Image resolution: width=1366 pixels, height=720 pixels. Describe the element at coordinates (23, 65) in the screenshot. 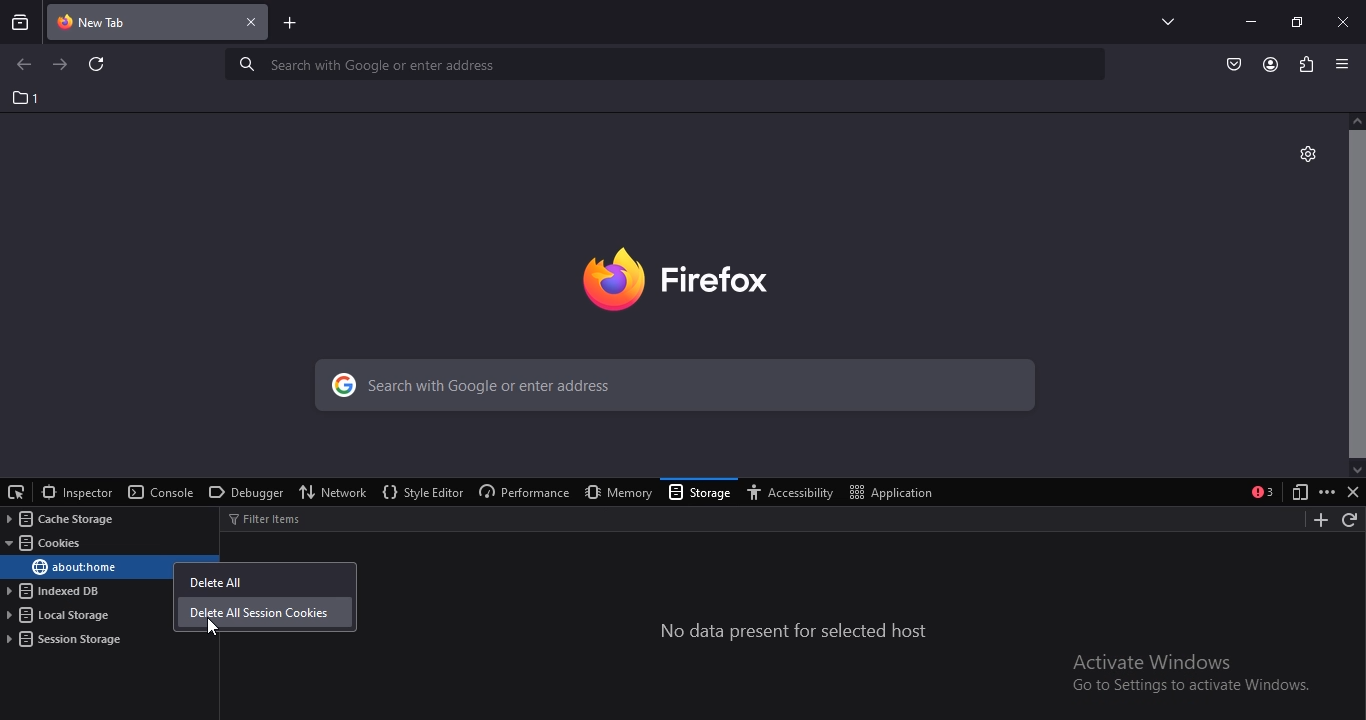

I see `click to go to previous page` at that location.